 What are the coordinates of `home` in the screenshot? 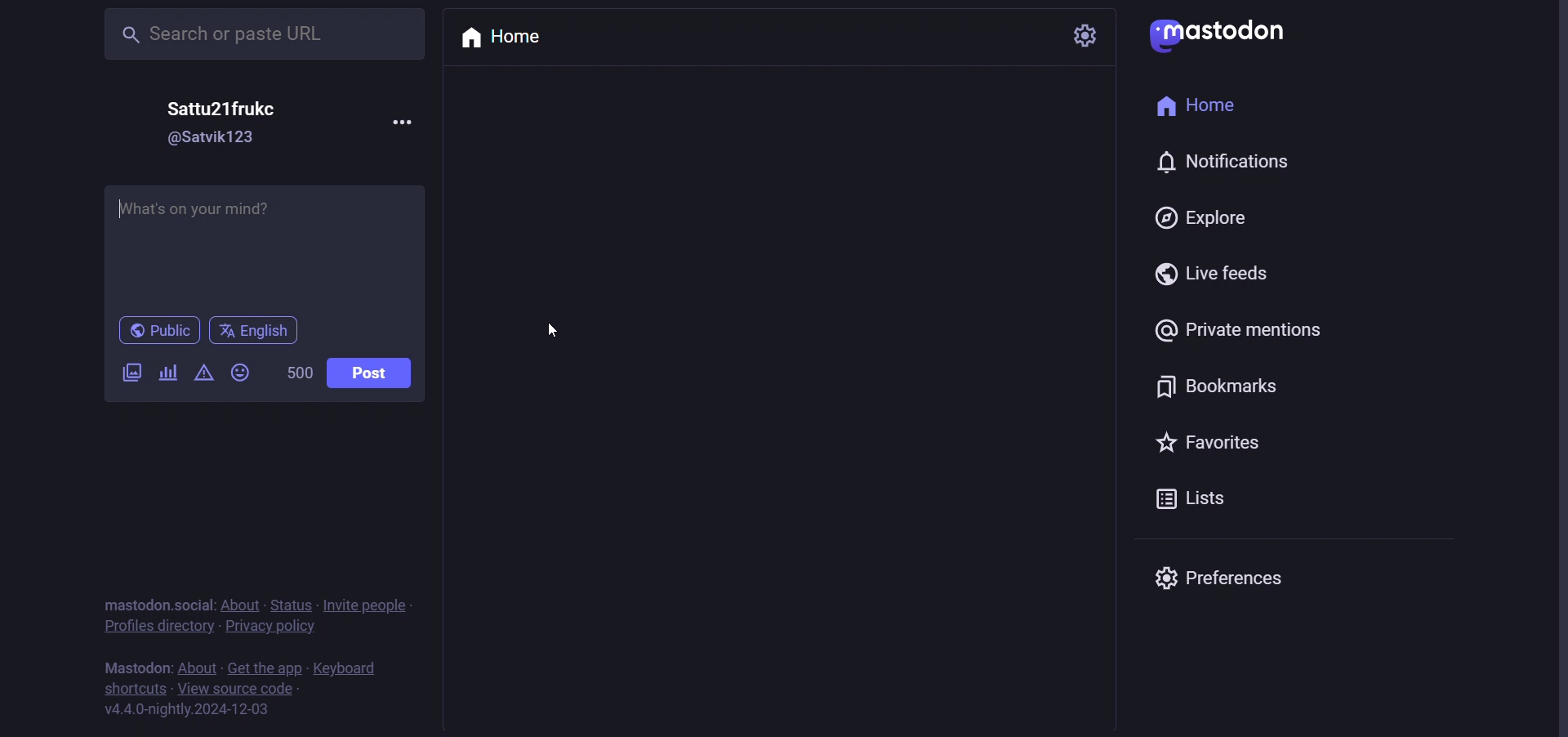 It's located at (499, 39).